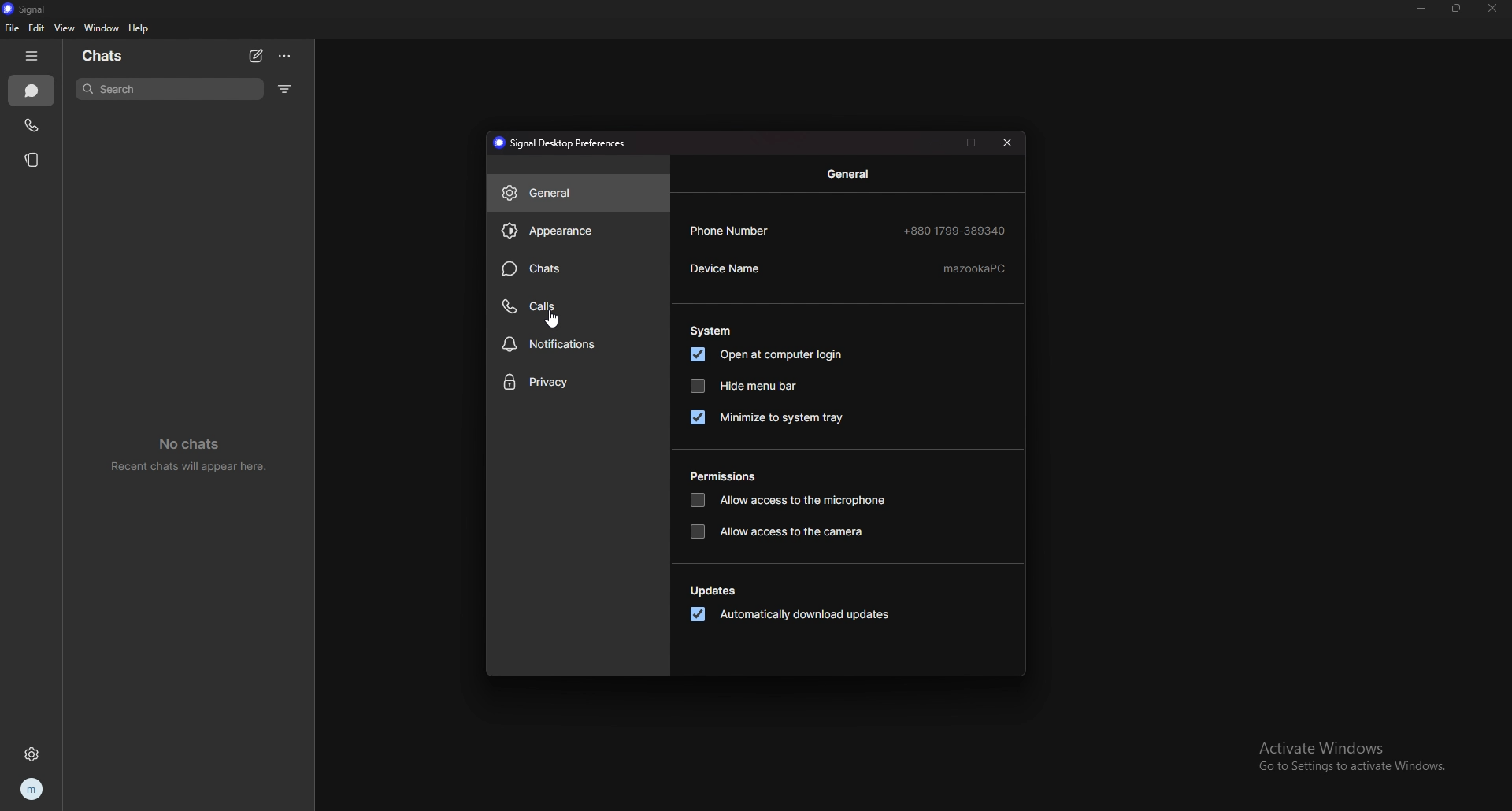 The image size is (1512, 811). I want to click on chats, so click(32, 91).